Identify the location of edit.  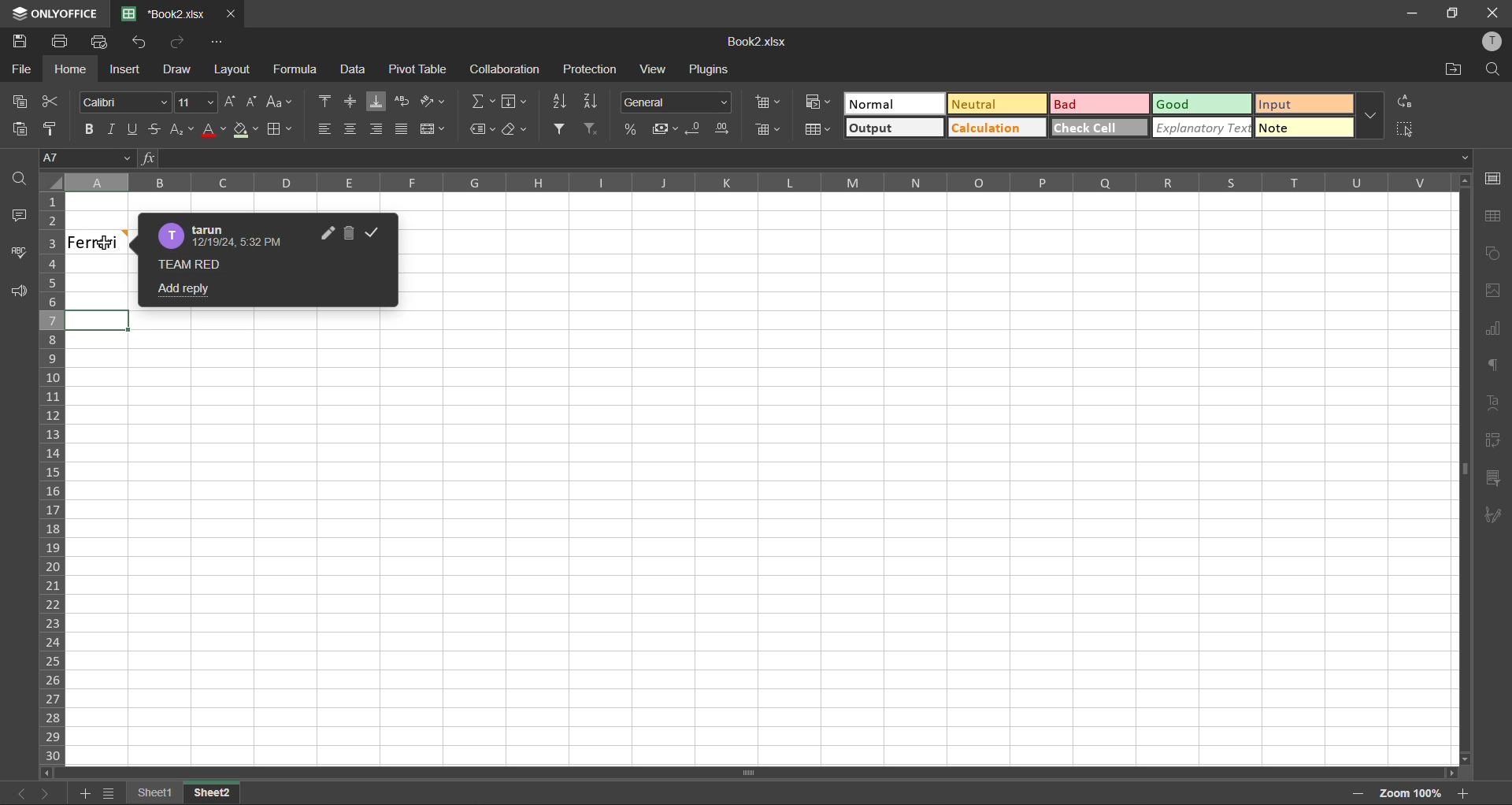
(326, 232).